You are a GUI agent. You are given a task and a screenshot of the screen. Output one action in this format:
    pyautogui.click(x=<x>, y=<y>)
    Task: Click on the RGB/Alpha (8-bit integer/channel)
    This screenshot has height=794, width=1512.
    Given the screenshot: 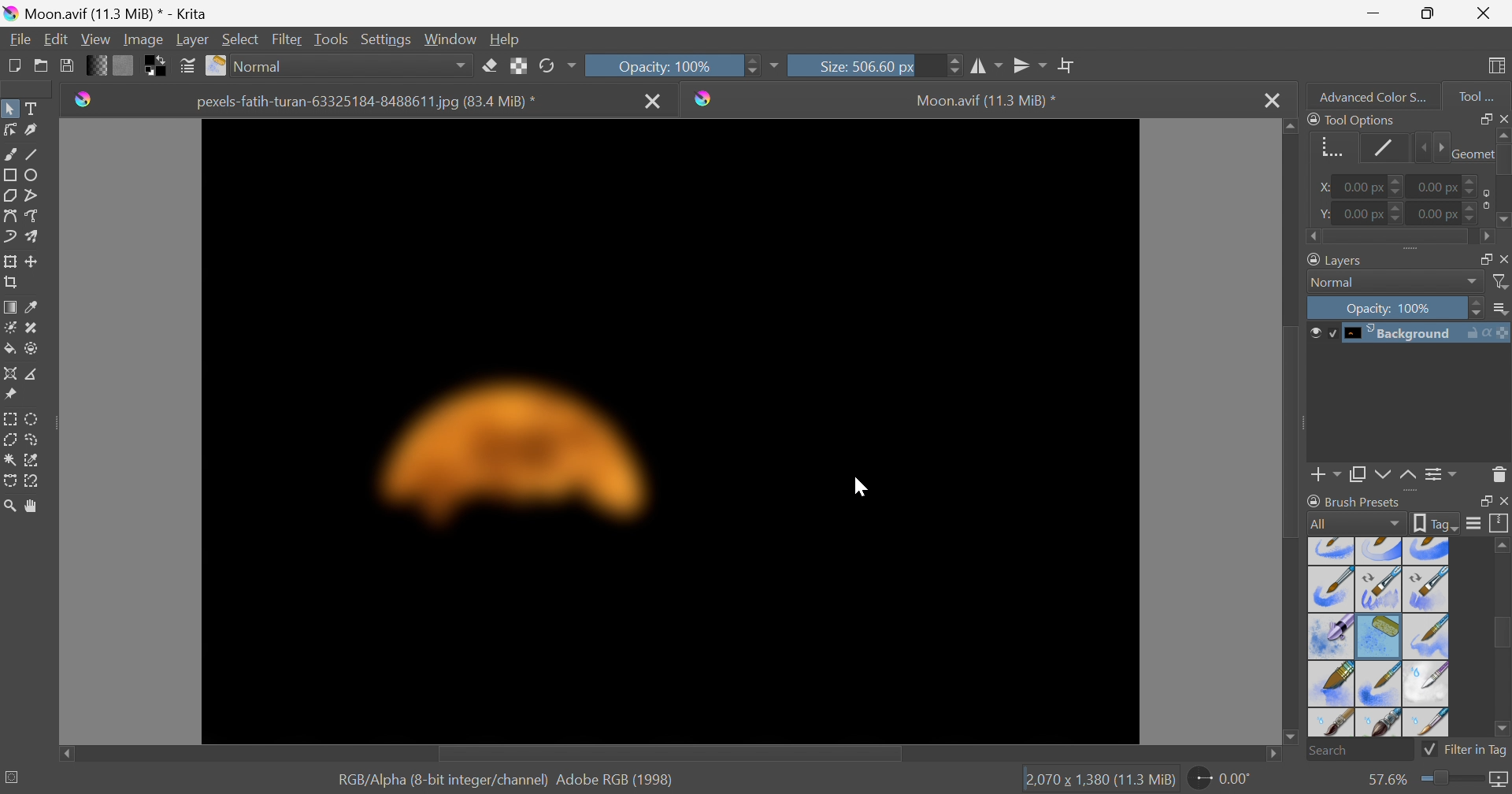 What is the action you would take?
    pyautogui.click(x=439, y=781)
    